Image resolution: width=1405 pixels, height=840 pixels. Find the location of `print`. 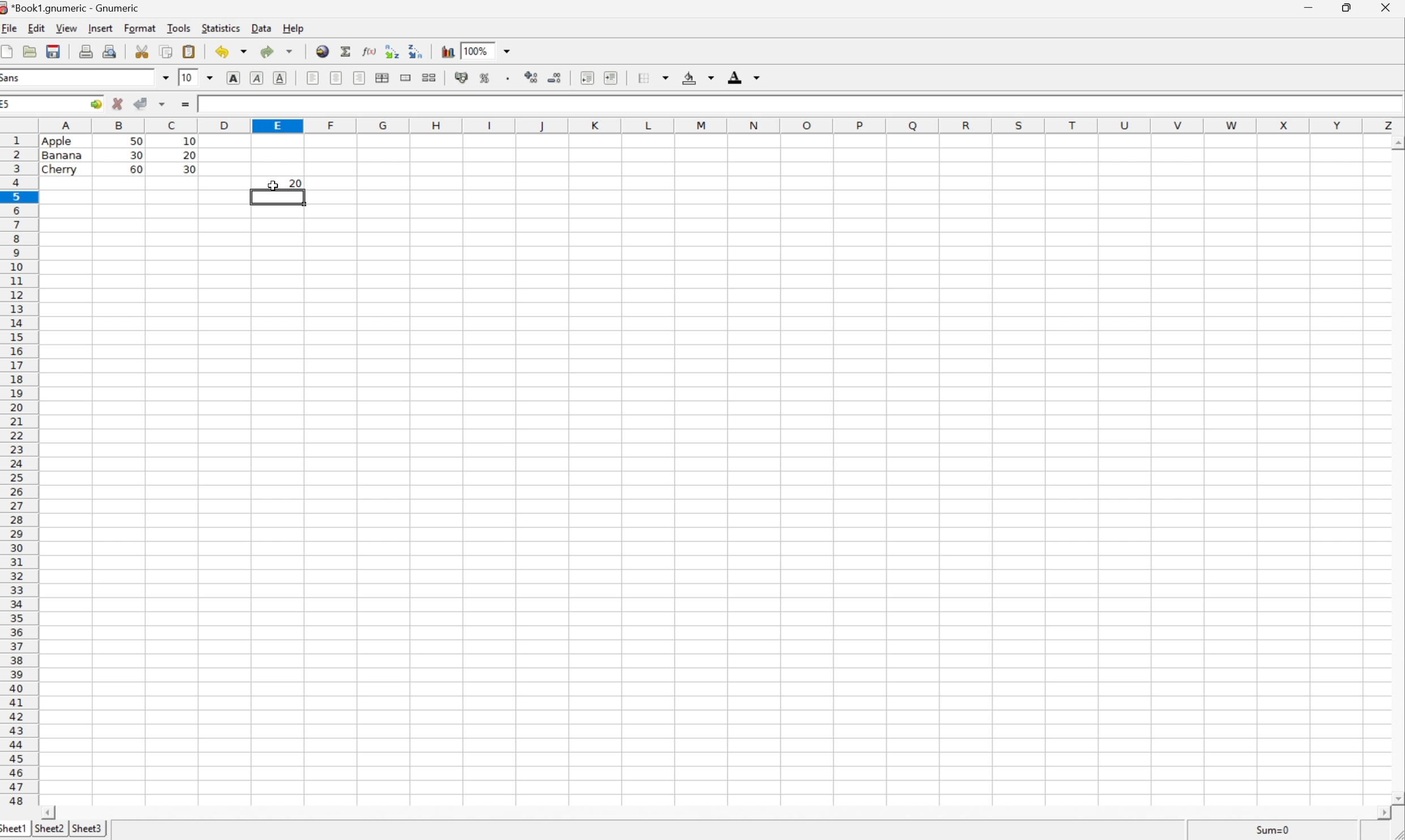

print is located at coordinates (87, 51).